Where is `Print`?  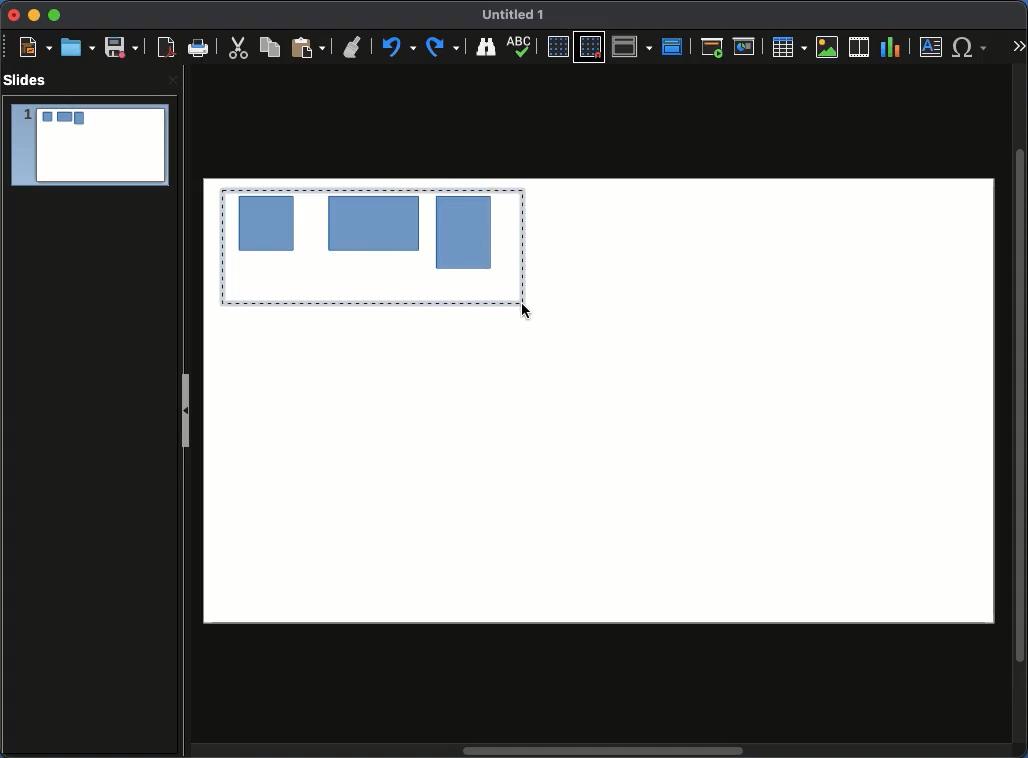
Print is located at coordinates (200, 49).